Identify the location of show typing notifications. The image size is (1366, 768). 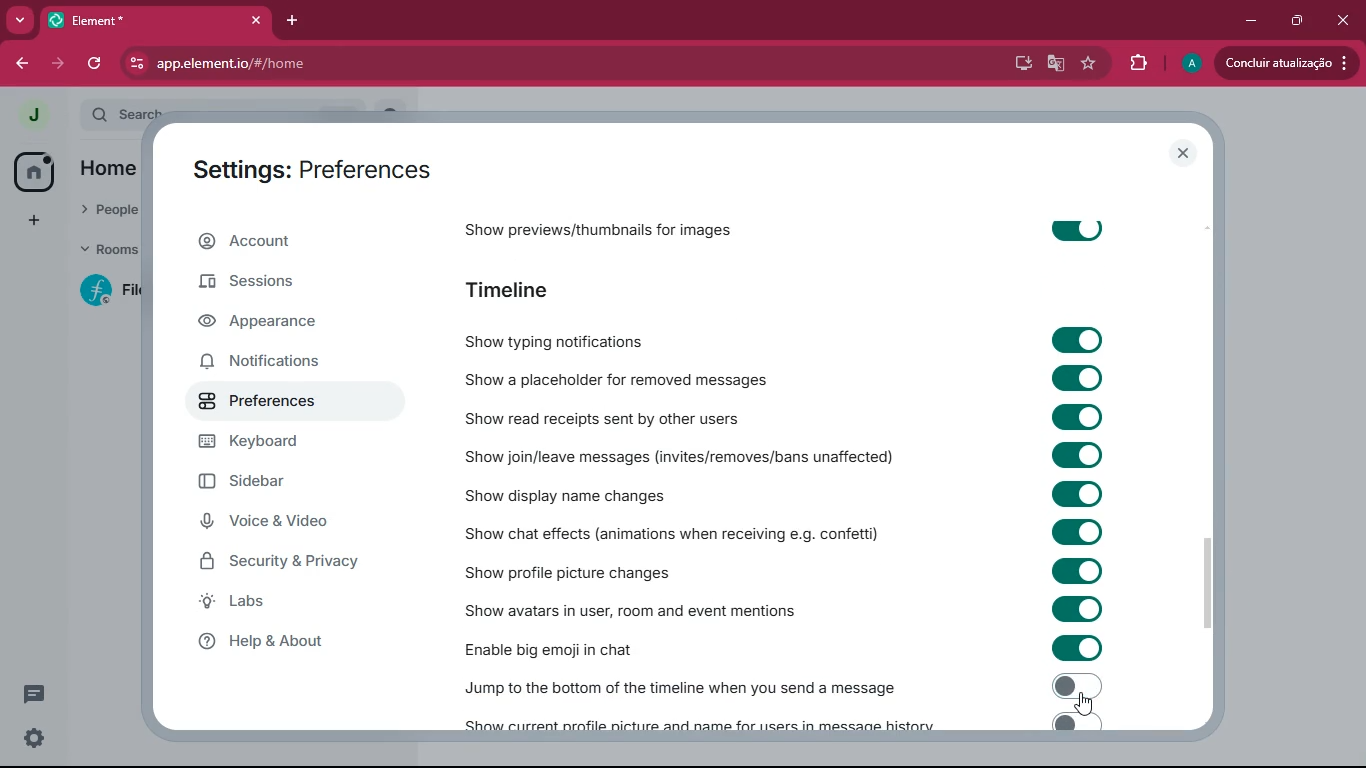
(563, 340).